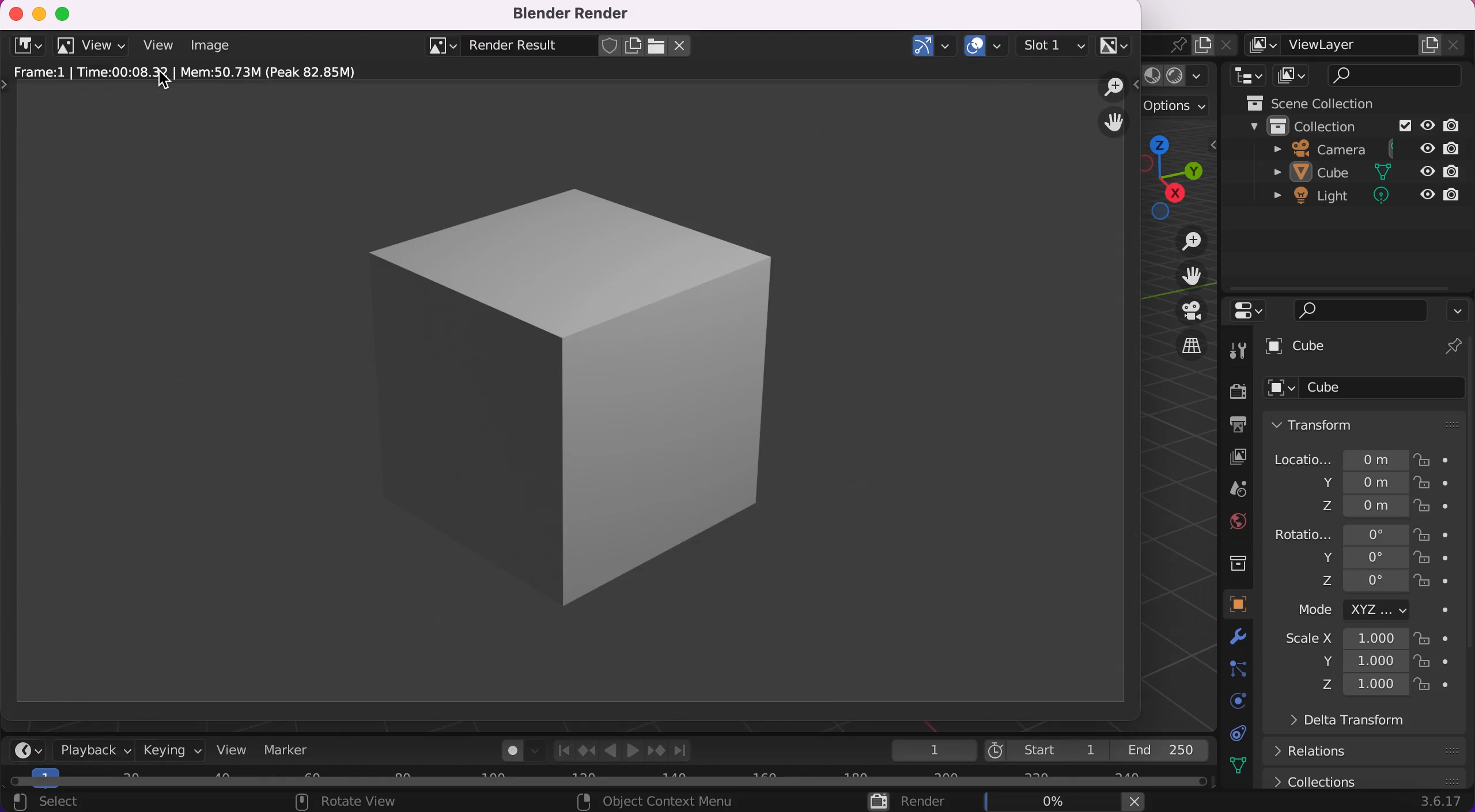 The image size is (1475, 812). Describe the element at coordinates (1173, 77) in the screenshot. I see `shading` at that location.